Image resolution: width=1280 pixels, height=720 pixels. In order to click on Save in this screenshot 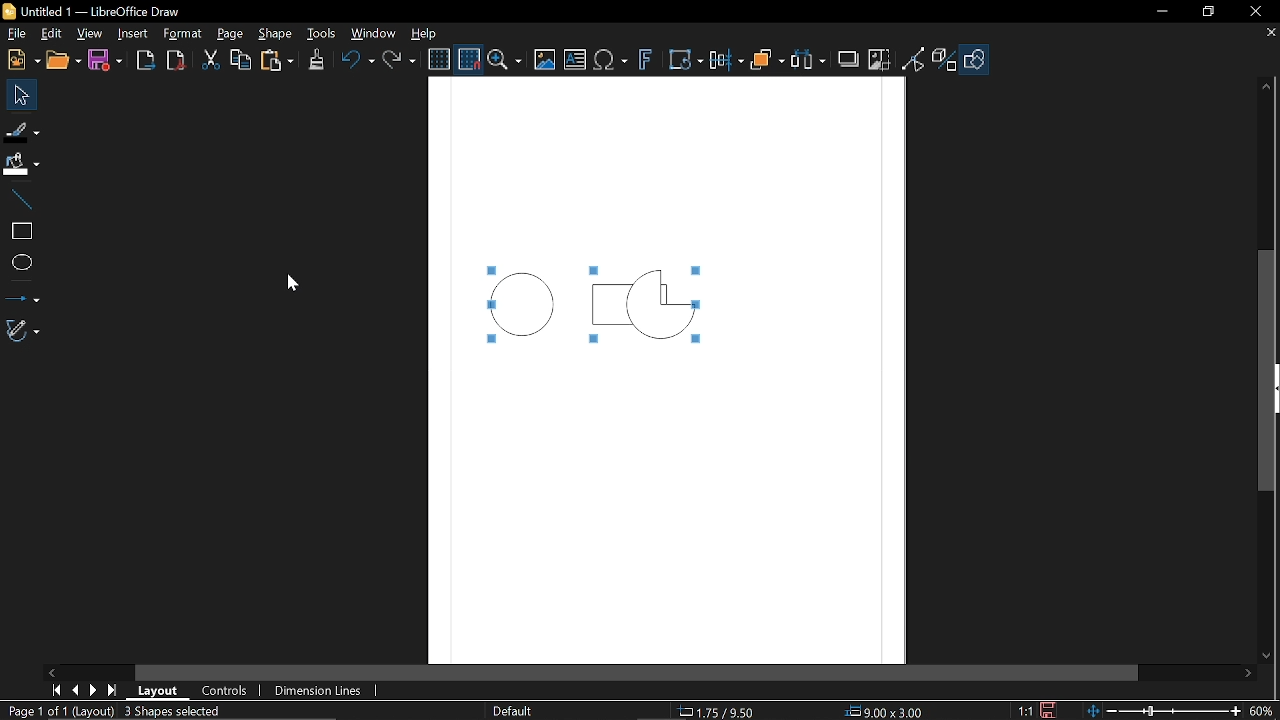, I will do `click(1046, 709)`.